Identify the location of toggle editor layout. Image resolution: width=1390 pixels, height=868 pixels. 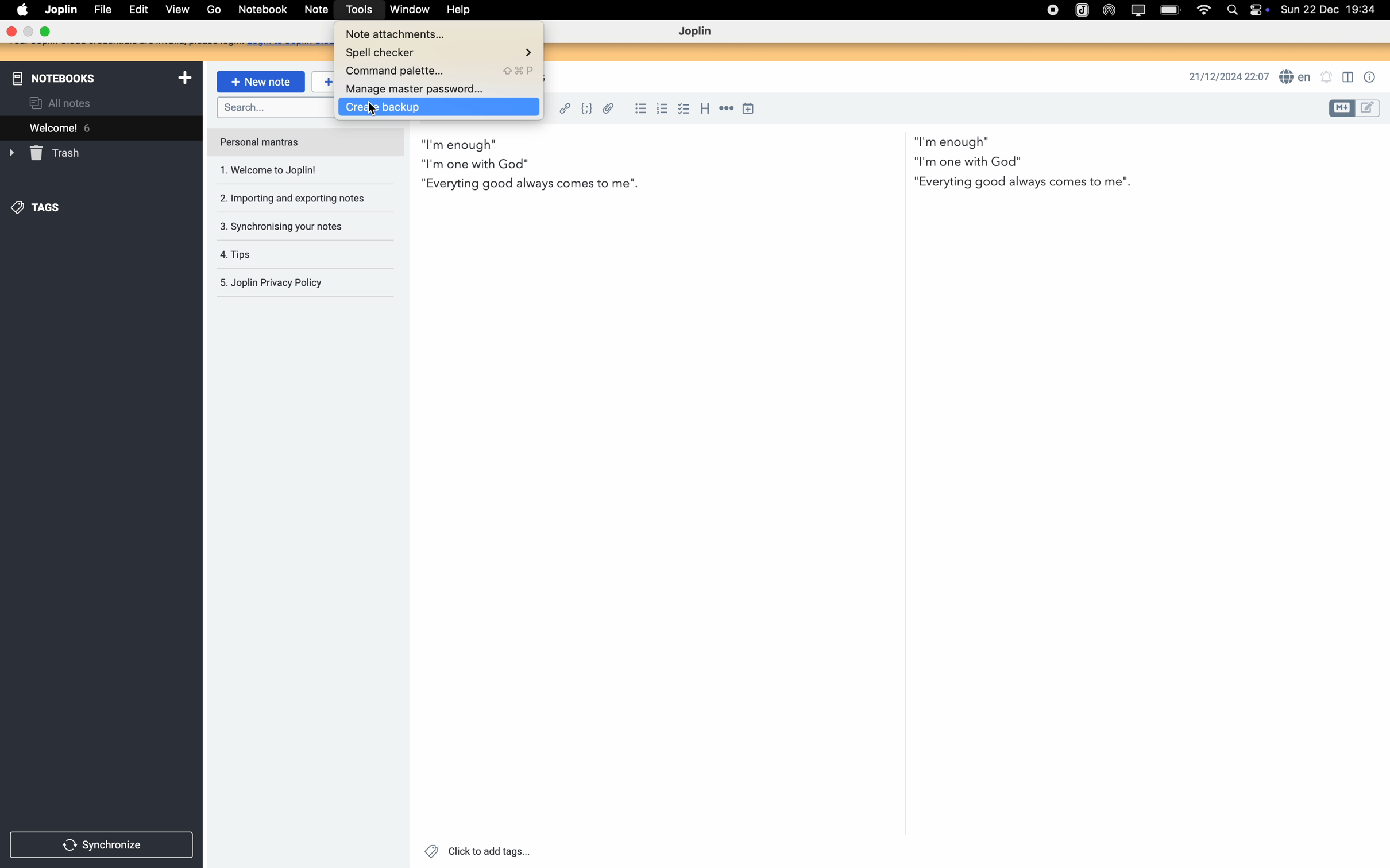
(1341, 108).